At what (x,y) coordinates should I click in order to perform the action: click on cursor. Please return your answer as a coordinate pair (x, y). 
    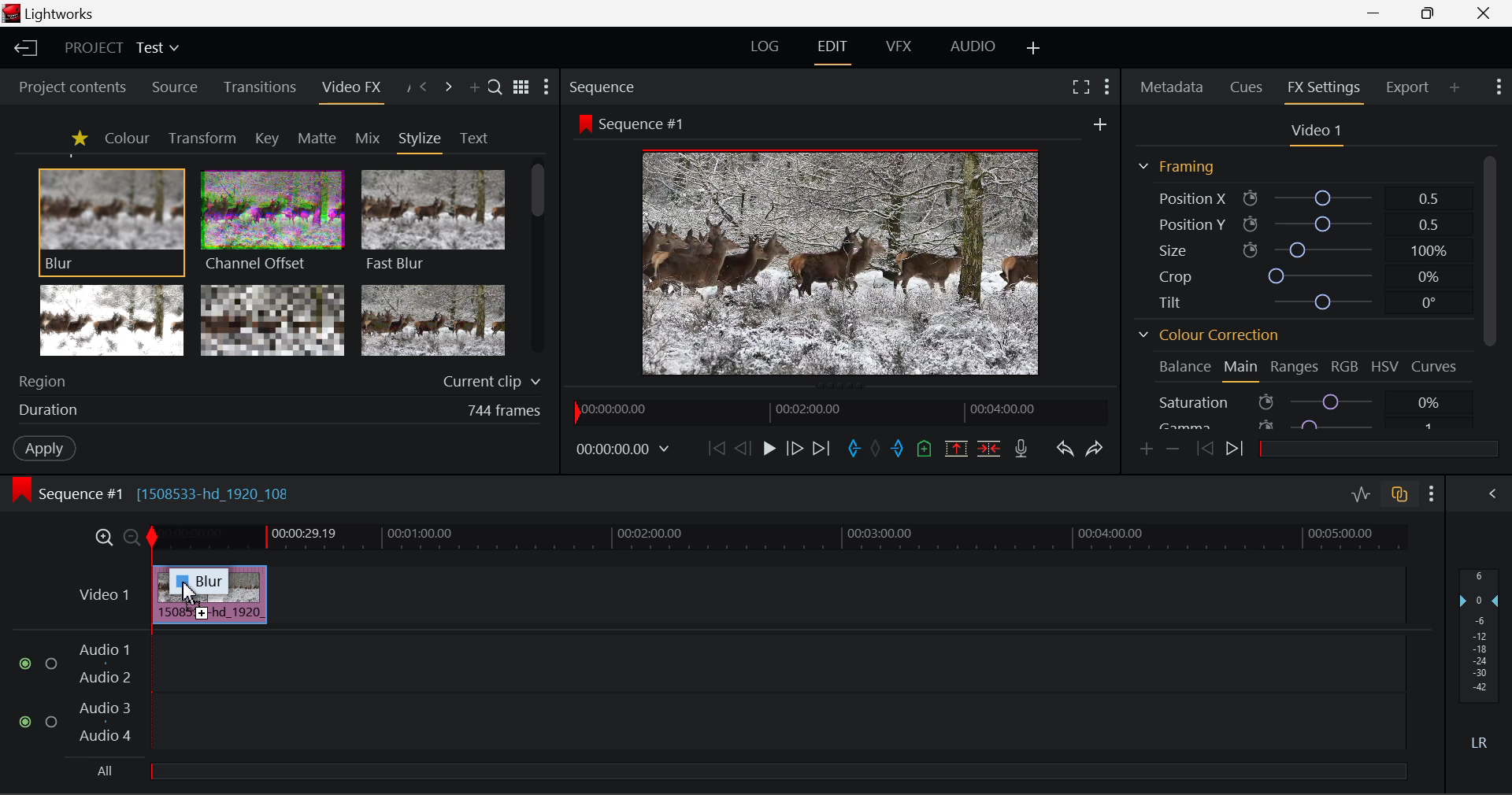
    Looking at the image, I should click on (189, 592).